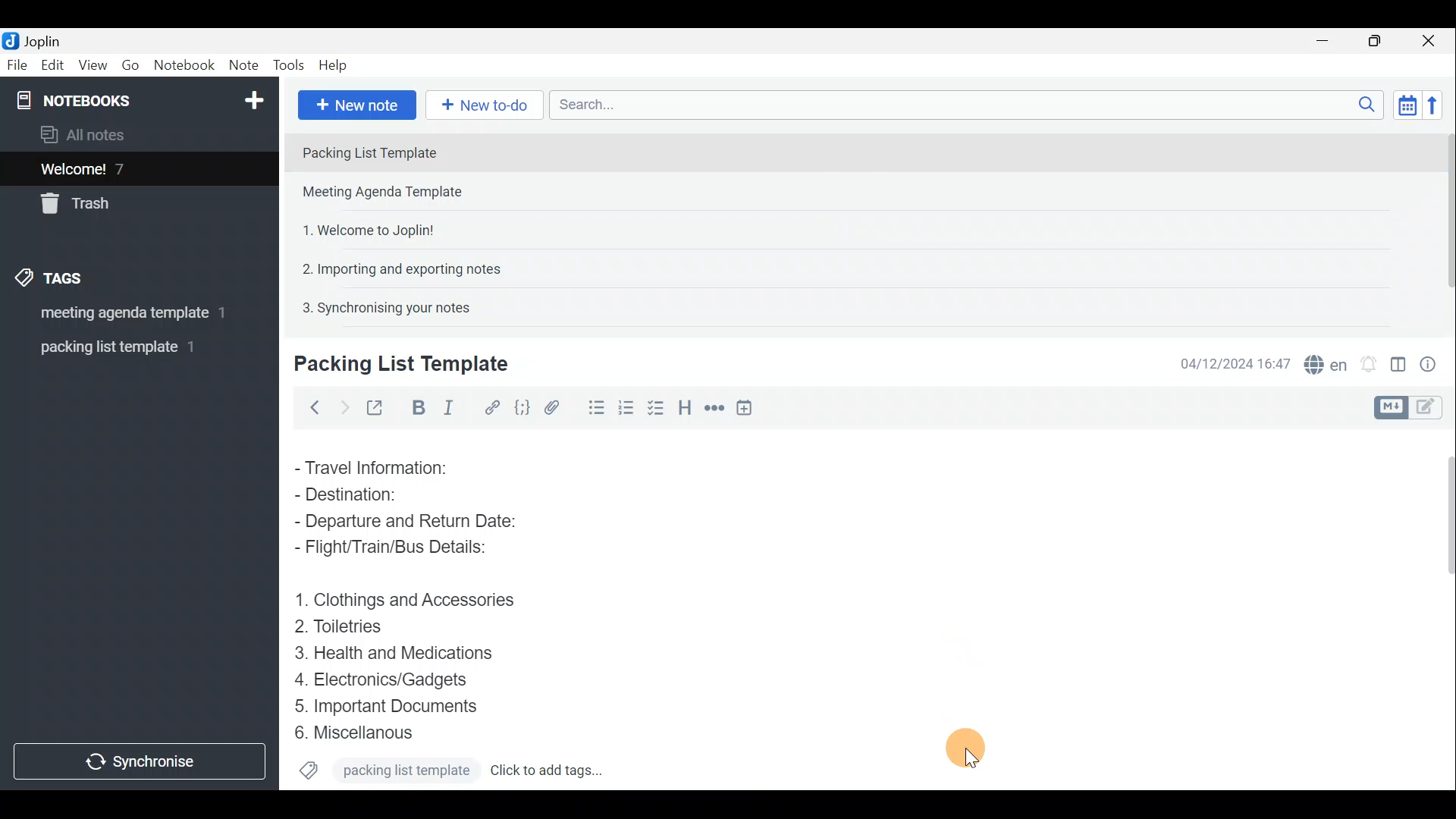  Describe the element at coordinates (81, 206) in the screenshot. I see `Trash` at that location.